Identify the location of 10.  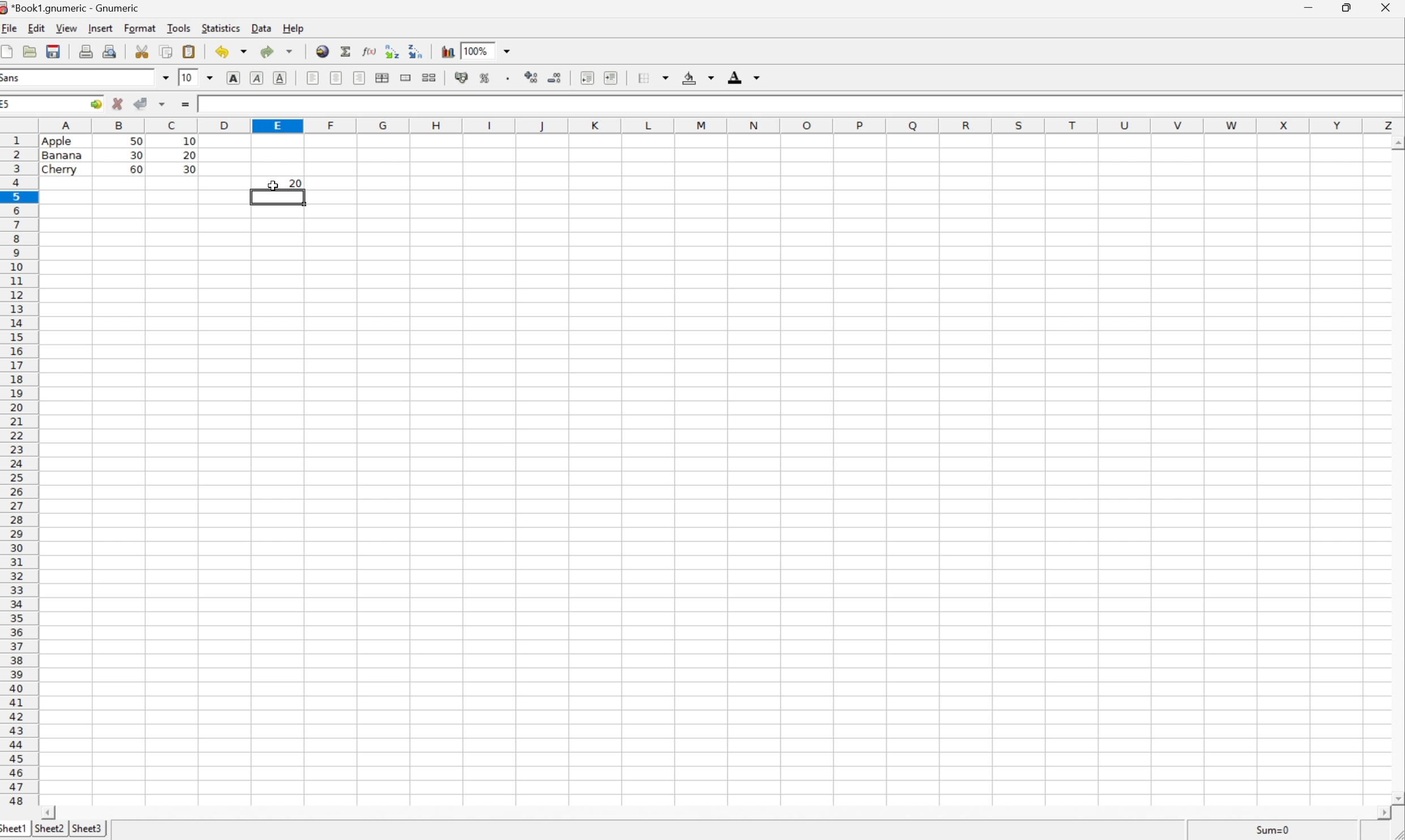
(185, 77).